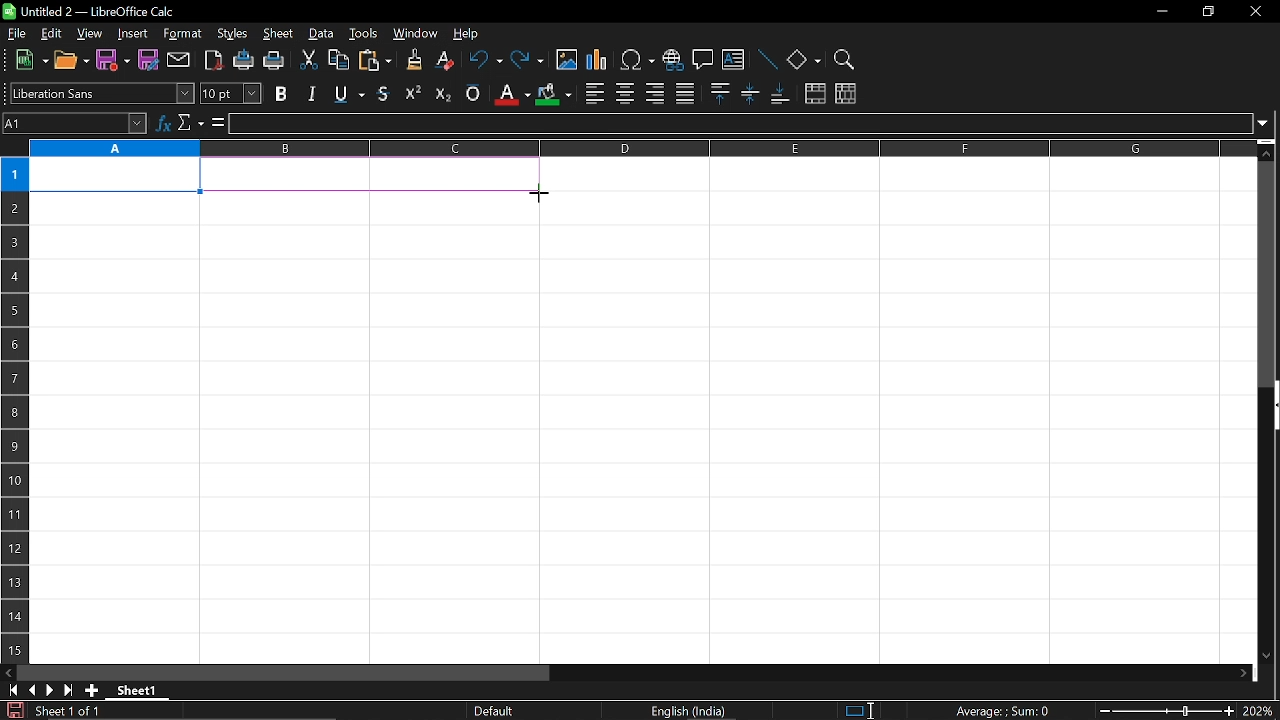 This screenshot has height=720, width=1280. What do you see at coordinates (1268, 274) in the screenshot?
I see `vertical scrollbar` at bounding box center [1268, 274].